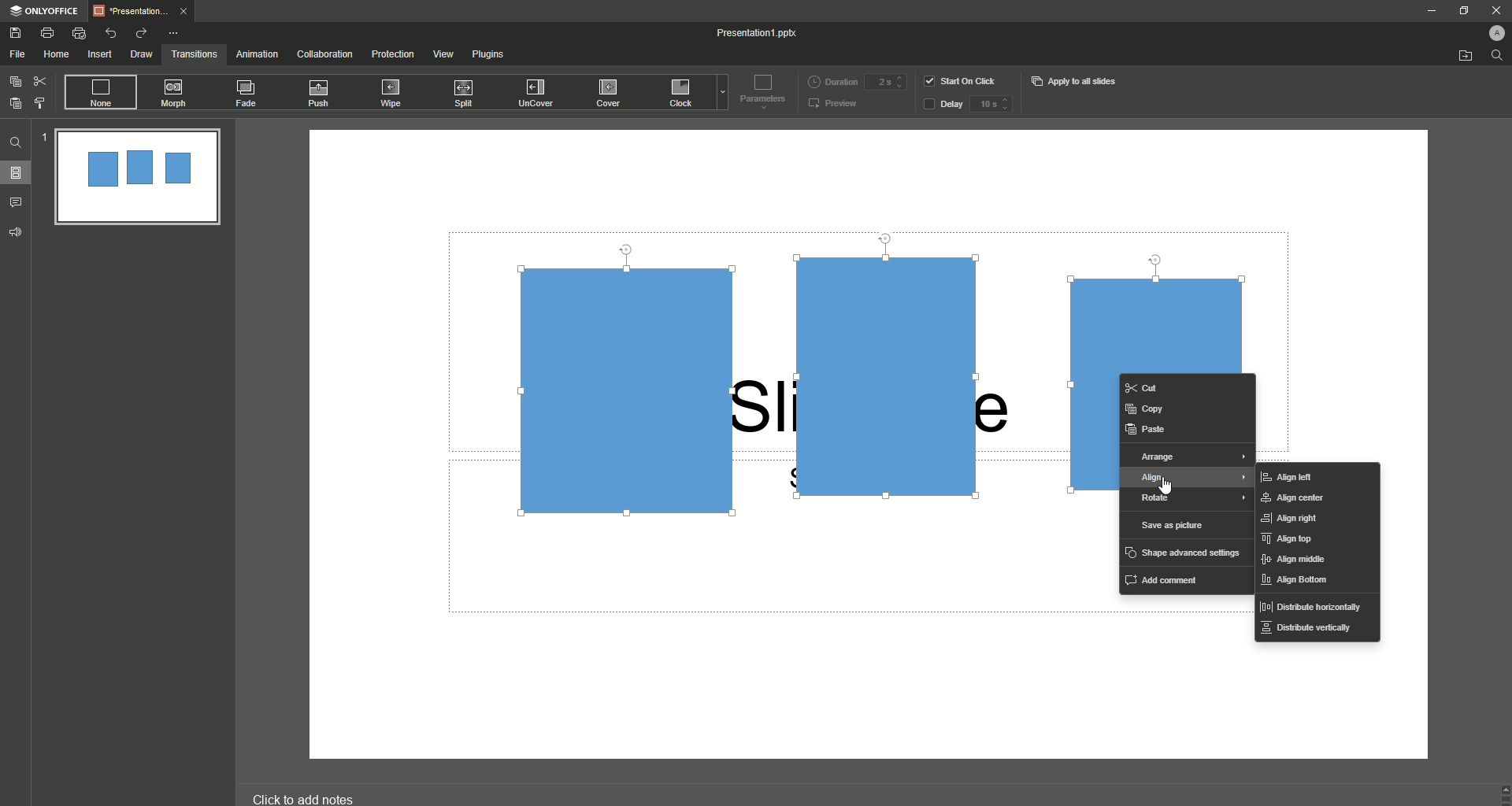 The width and height of the screenshot is (1512, 806). What do you see at coordinates (40, 80) in the screenshot?
I see `Cut` at bounding box center [40, 80].